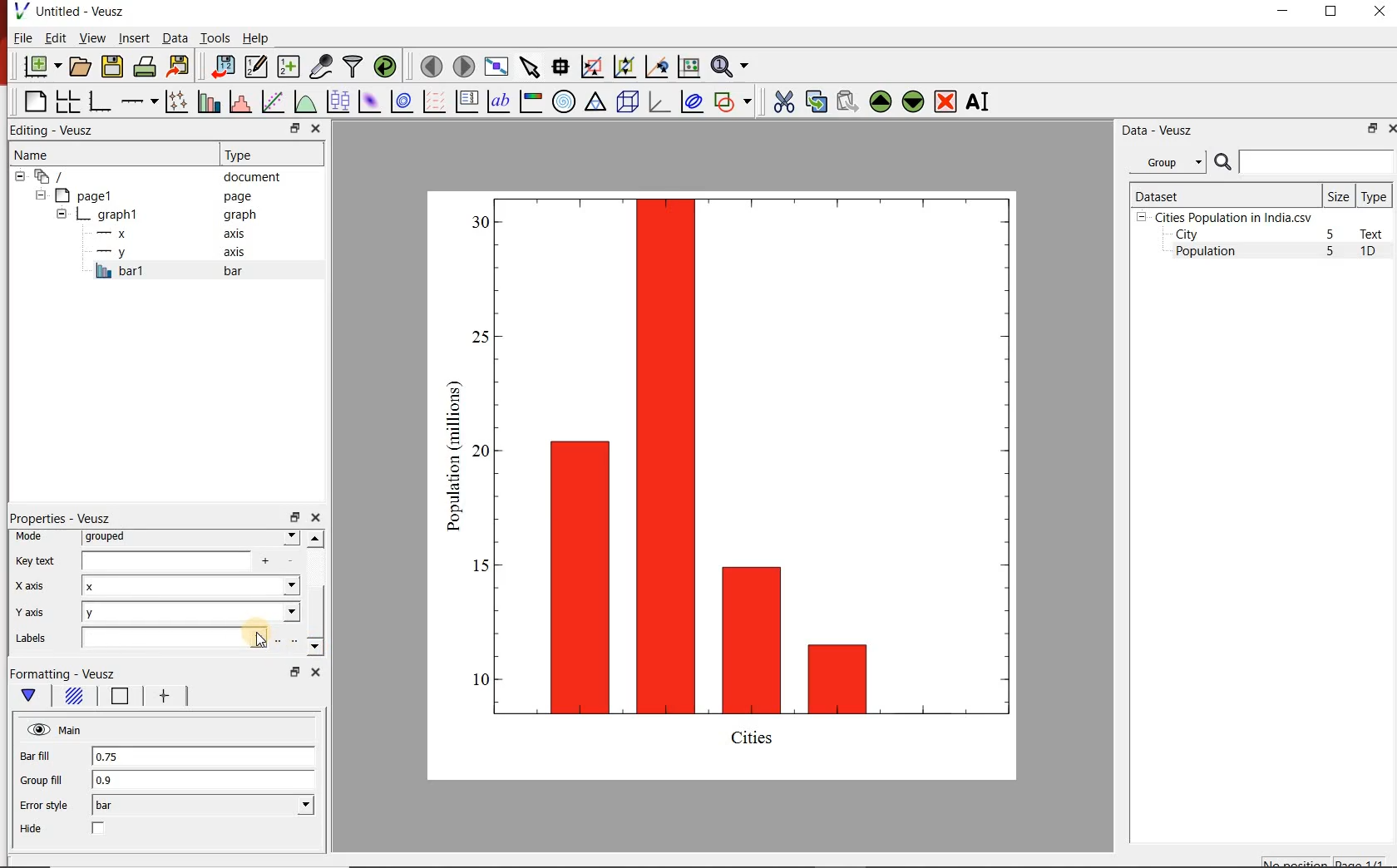  Describe the element at coordinates (204, 781) in the screenshot. I see `0.9` at that location.